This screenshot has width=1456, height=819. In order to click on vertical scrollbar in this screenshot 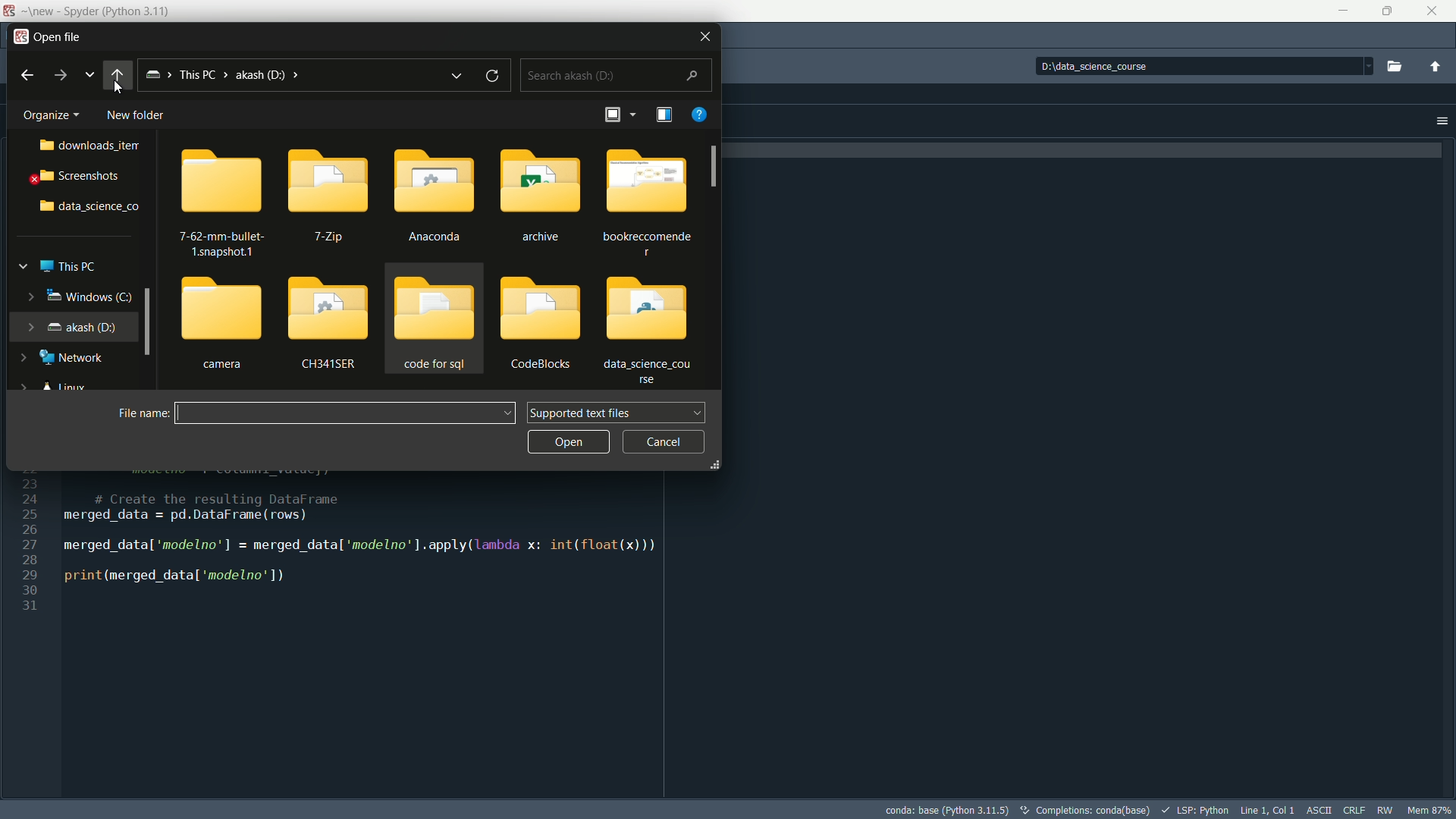, I will do `click(713, 168)`.